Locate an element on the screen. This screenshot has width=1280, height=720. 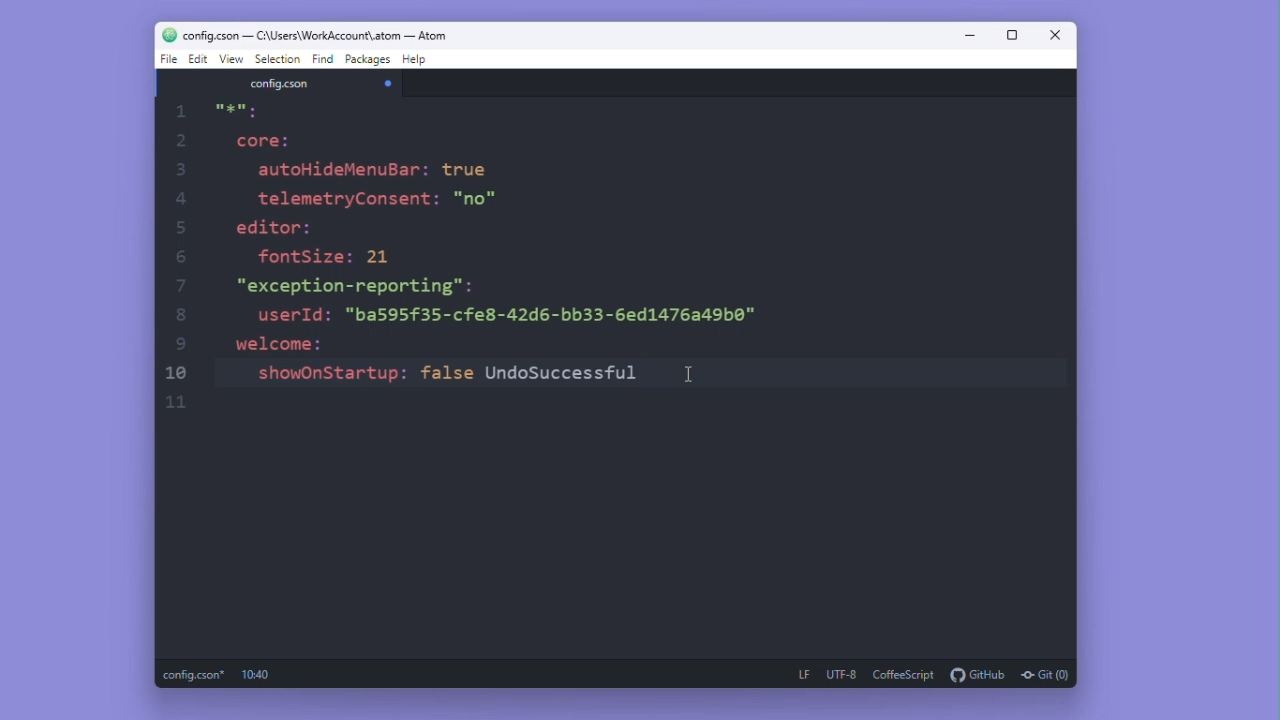
10:40 is located at coordinates (252, 675).